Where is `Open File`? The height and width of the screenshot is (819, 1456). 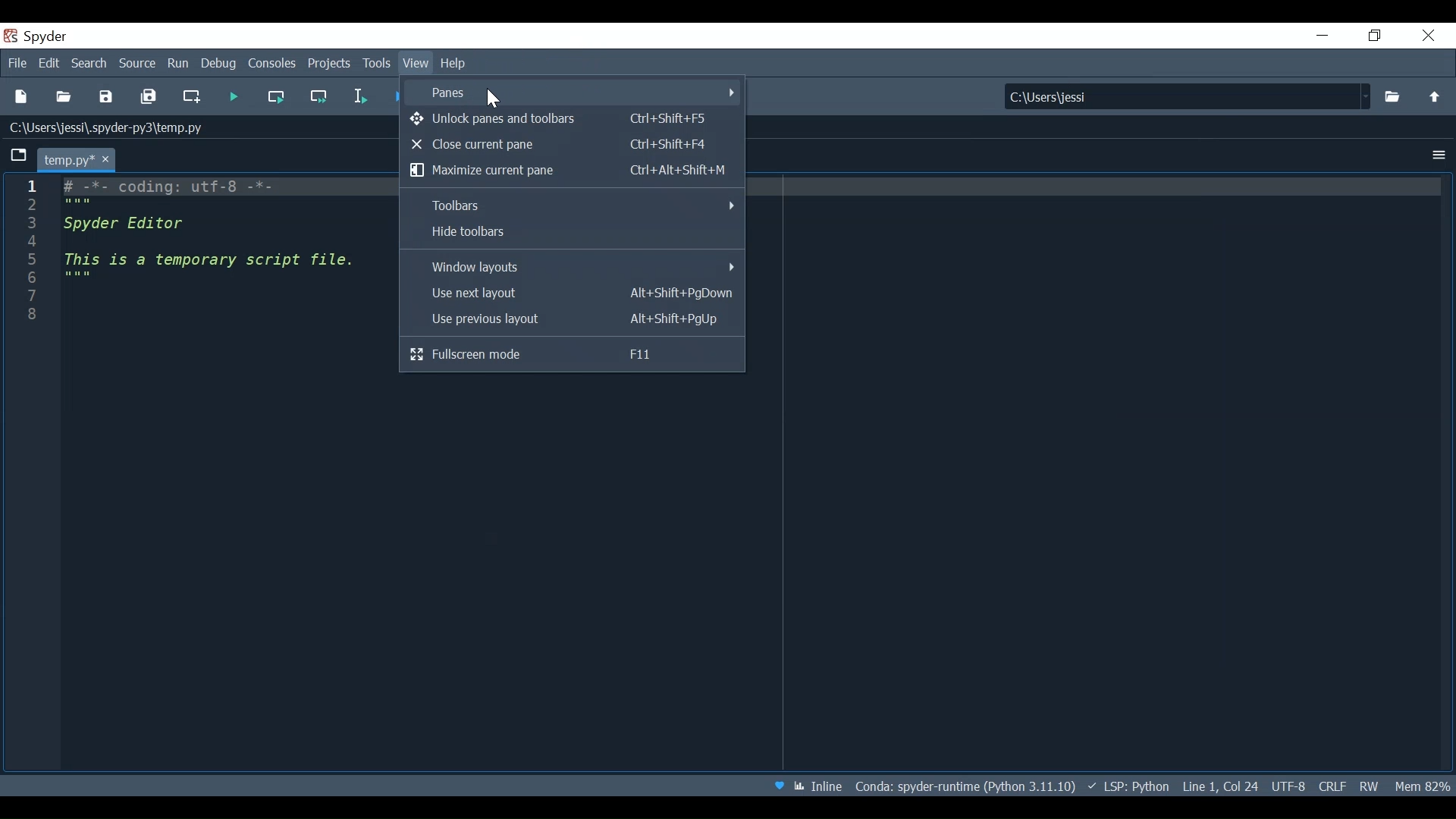
Open File is located at coordinates (63, 98).